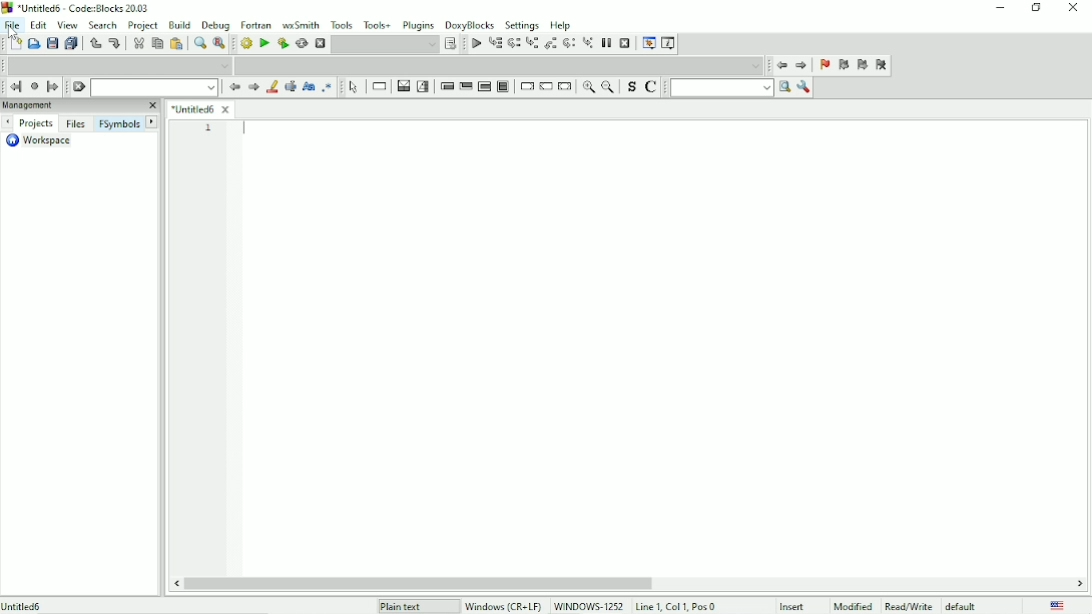 This screenshot has width=1092, height=614. I want to click on Zoom out, so click(609, 88).